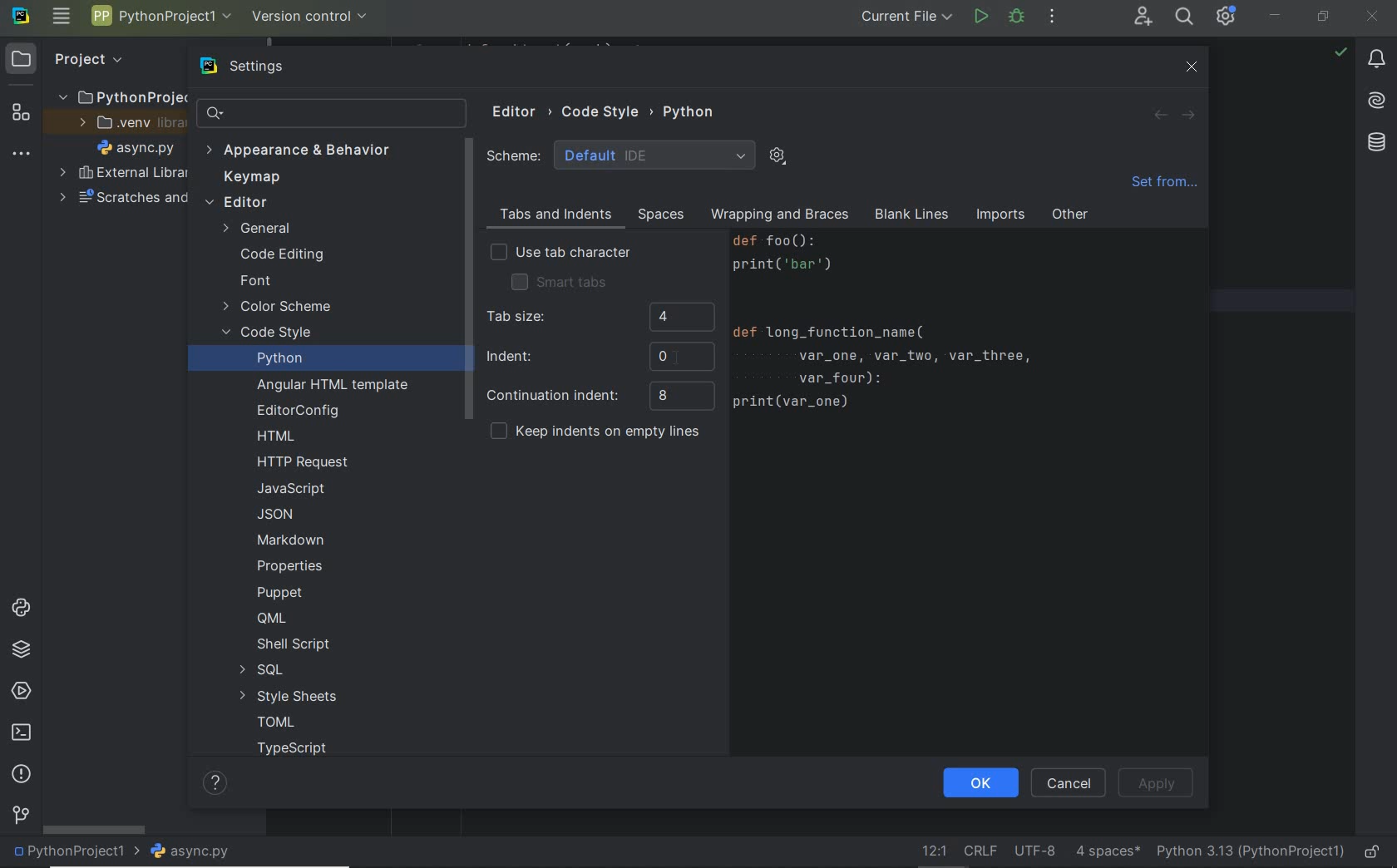 The image size is (1397, 868). I want to click on indent, so click(1108, 850).